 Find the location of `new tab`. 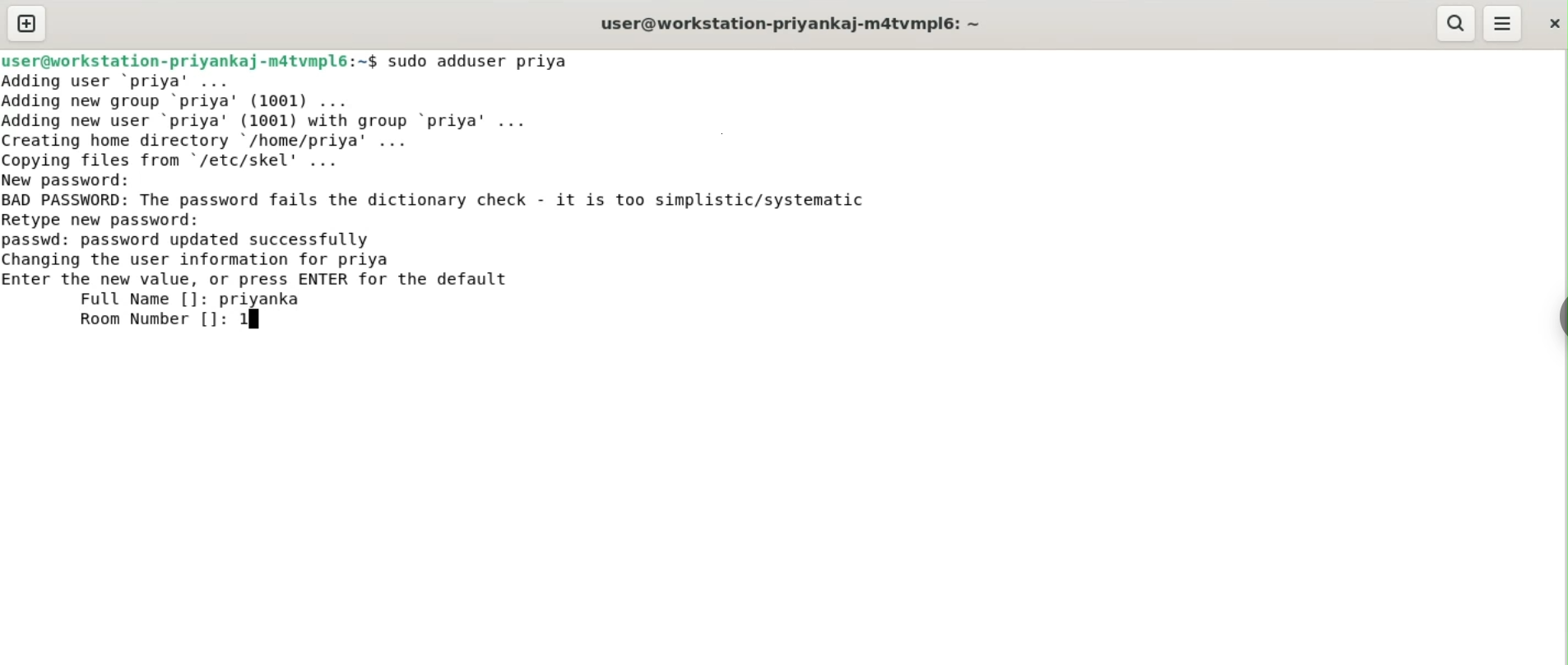

new tab is located at coordinates (27, 23).